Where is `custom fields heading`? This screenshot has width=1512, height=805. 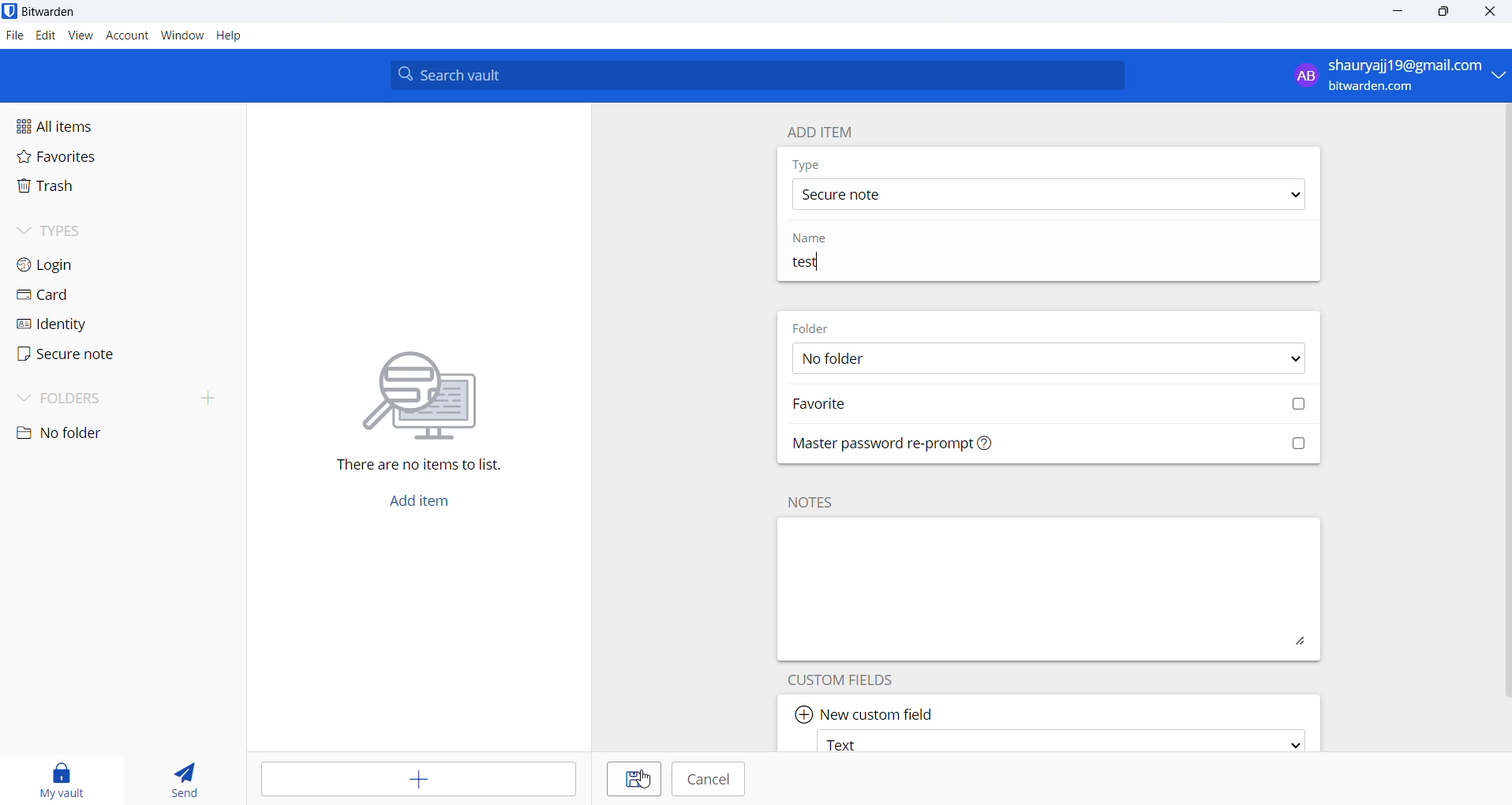
custom fields heading is located at coordinates (852, 678).